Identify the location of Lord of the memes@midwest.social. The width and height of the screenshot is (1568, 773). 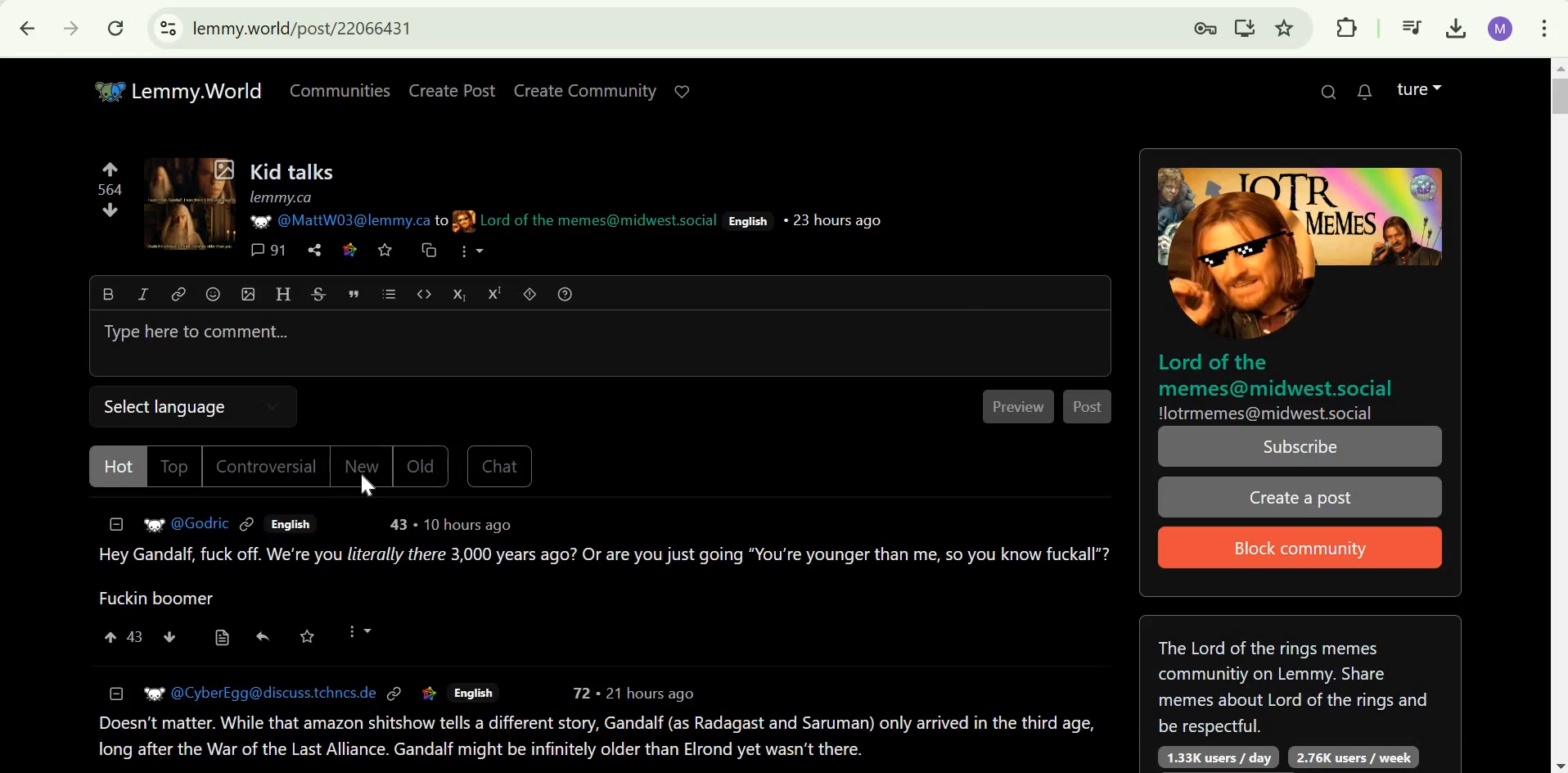
(598, 220).